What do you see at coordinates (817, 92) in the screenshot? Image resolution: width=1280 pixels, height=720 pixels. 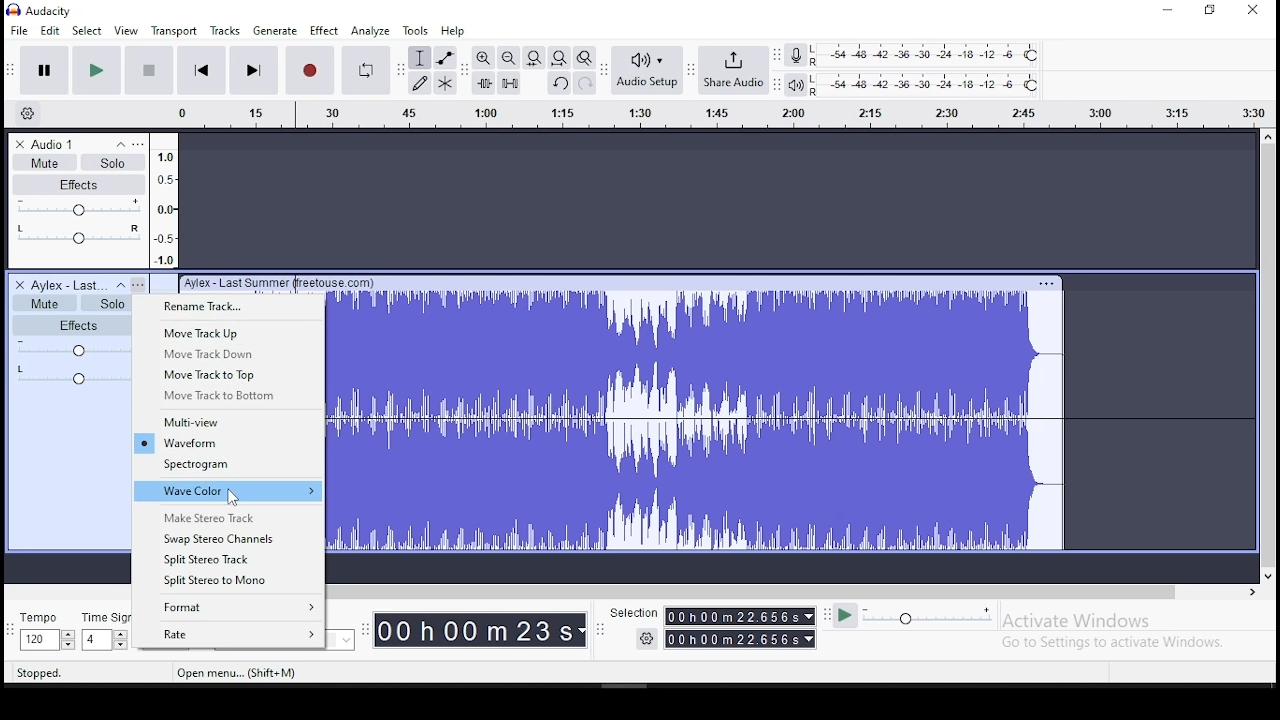 I see `R` at bounding box center [817, 92].